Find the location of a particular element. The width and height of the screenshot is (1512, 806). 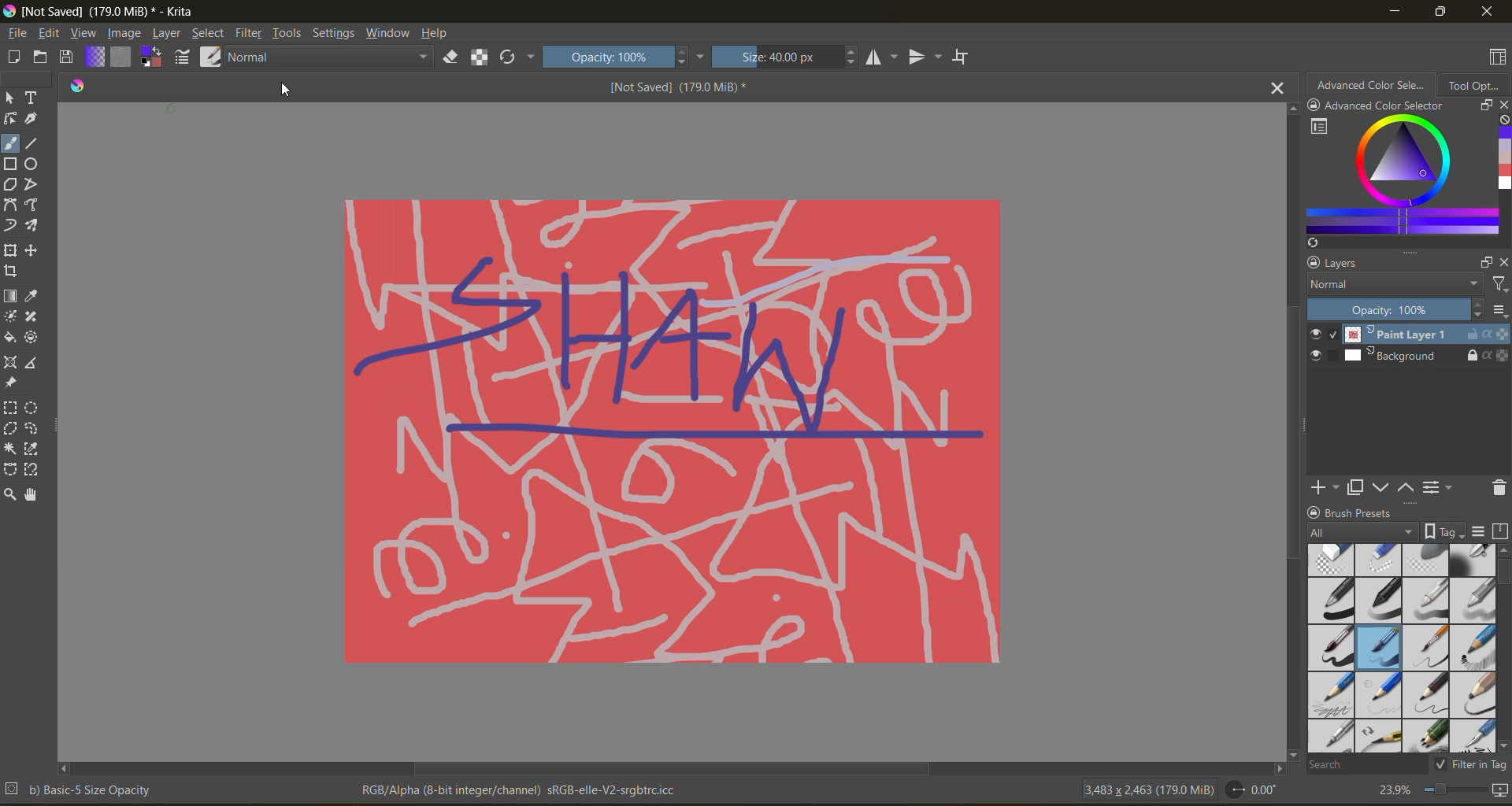

elliptical selection tool is located at coordinates (34, 408).